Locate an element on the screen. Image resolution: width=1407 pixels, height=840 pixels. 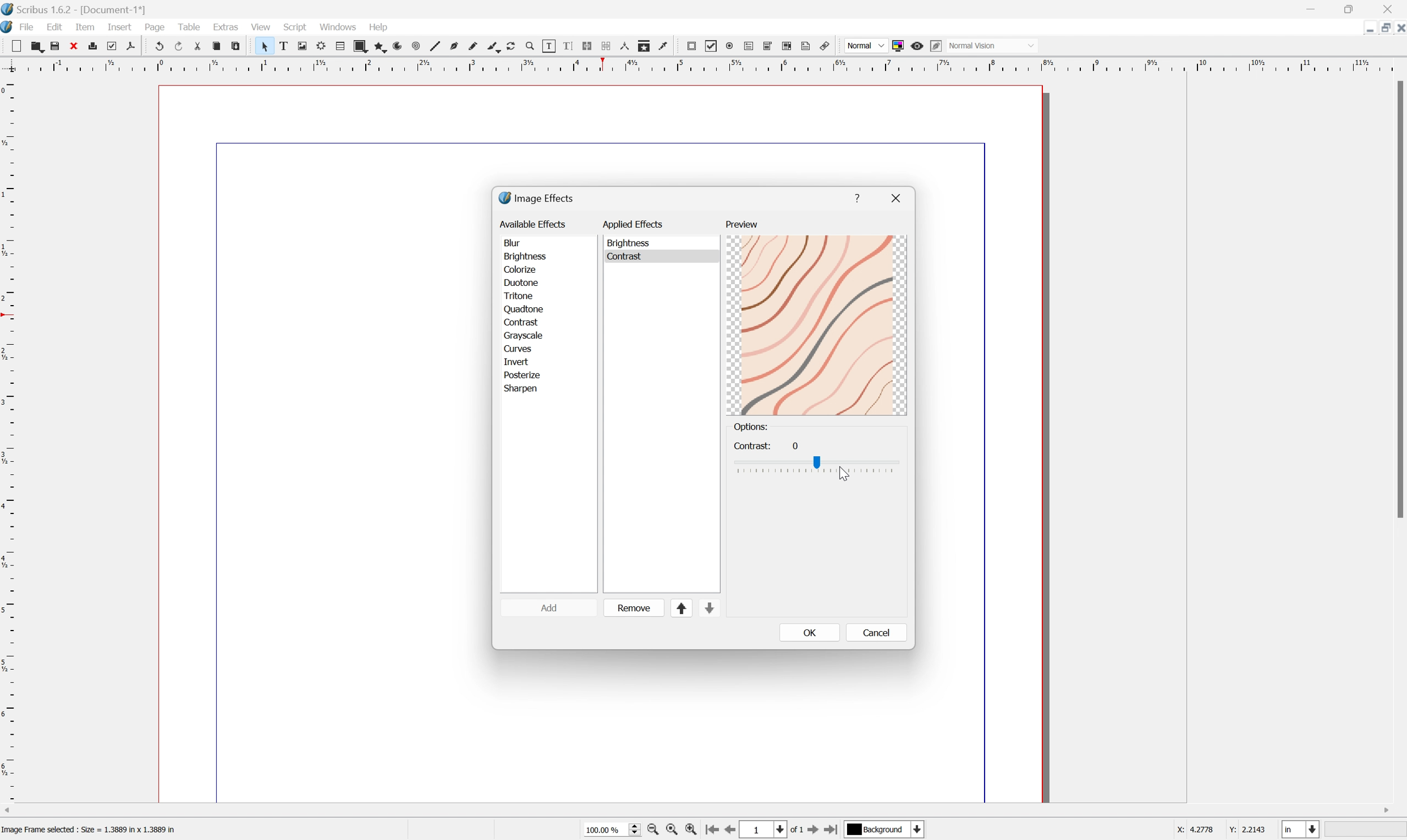
Arc is located at coordinates (400, 46).